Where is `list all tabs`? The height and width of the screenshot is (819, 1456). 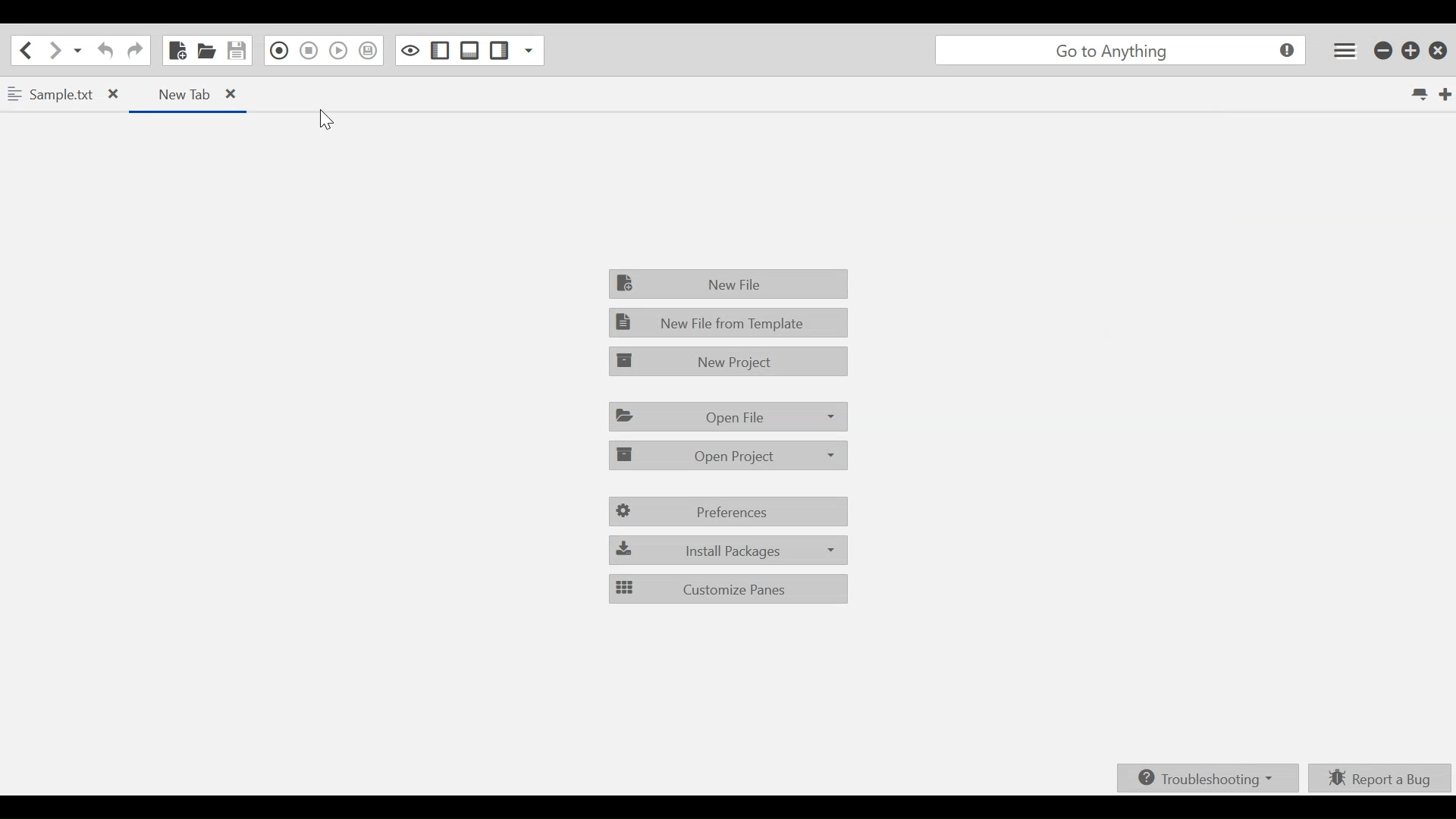 list all tabs is located at coordinates (1421, 93).